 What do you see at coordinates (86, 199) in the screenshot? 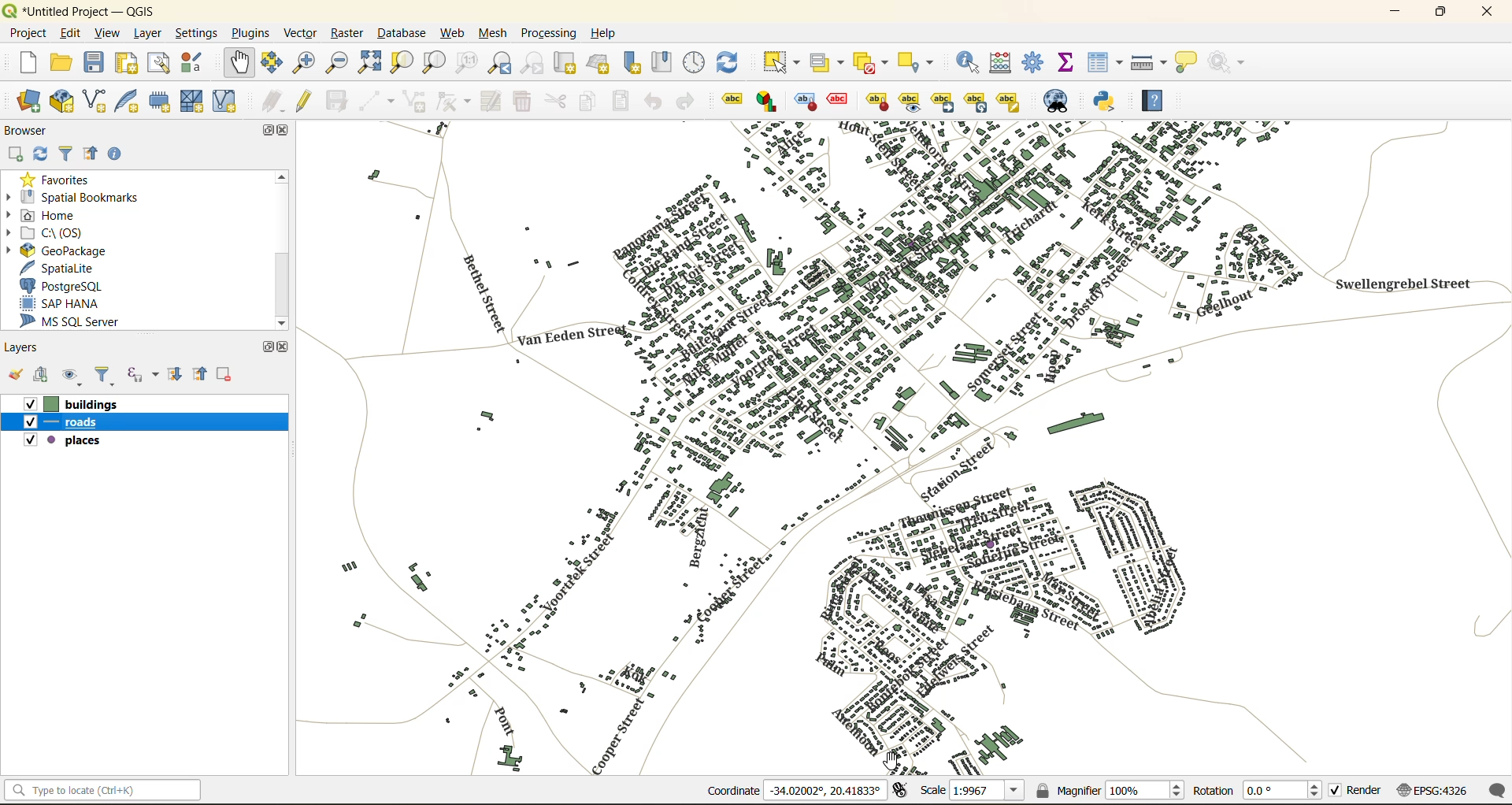
I see `spatial bookmarks` at bounding box center [86, 199].